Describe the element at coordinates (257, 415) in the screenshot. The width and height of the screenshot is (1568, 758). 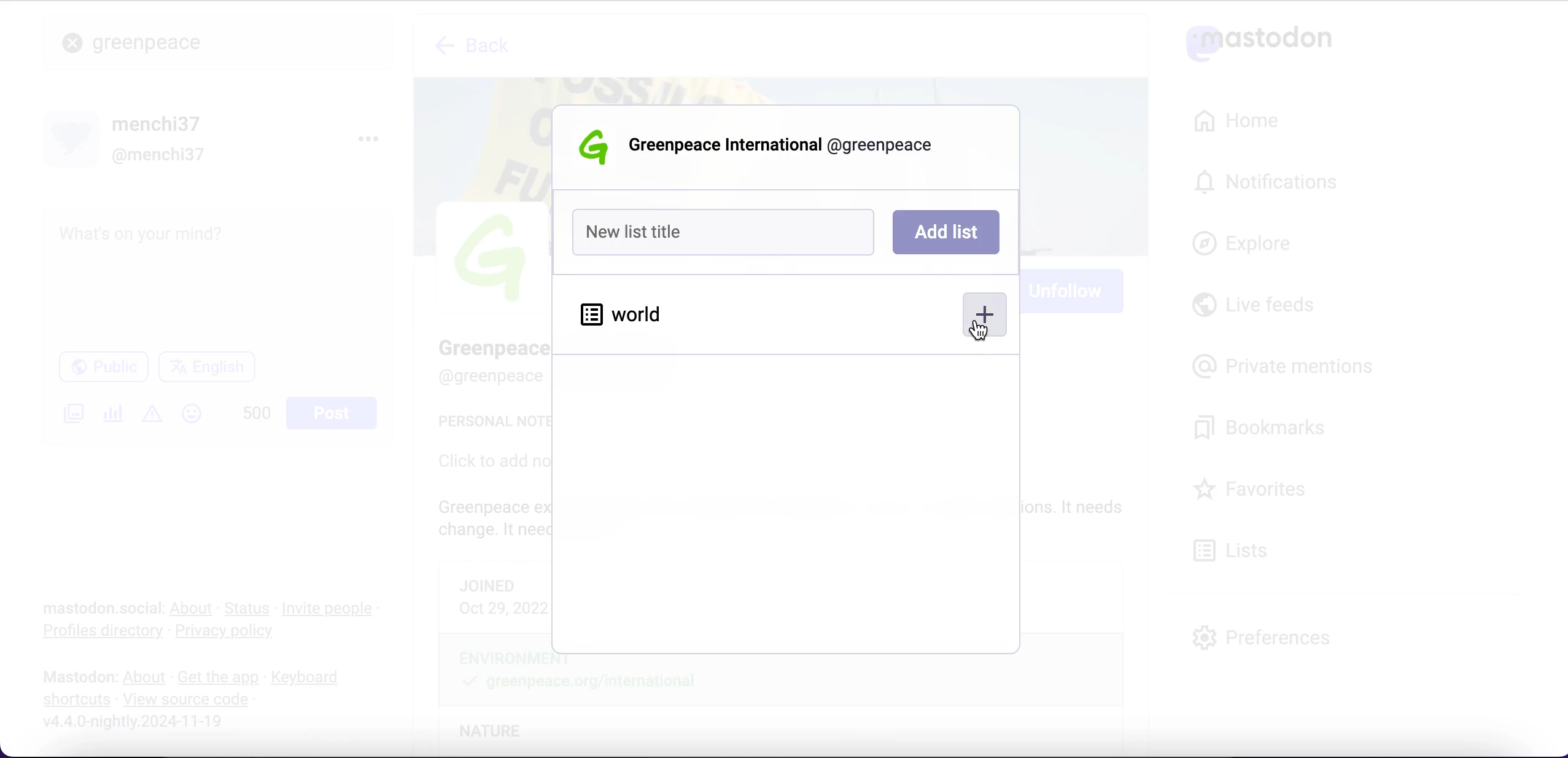
I see `characters` at that location.